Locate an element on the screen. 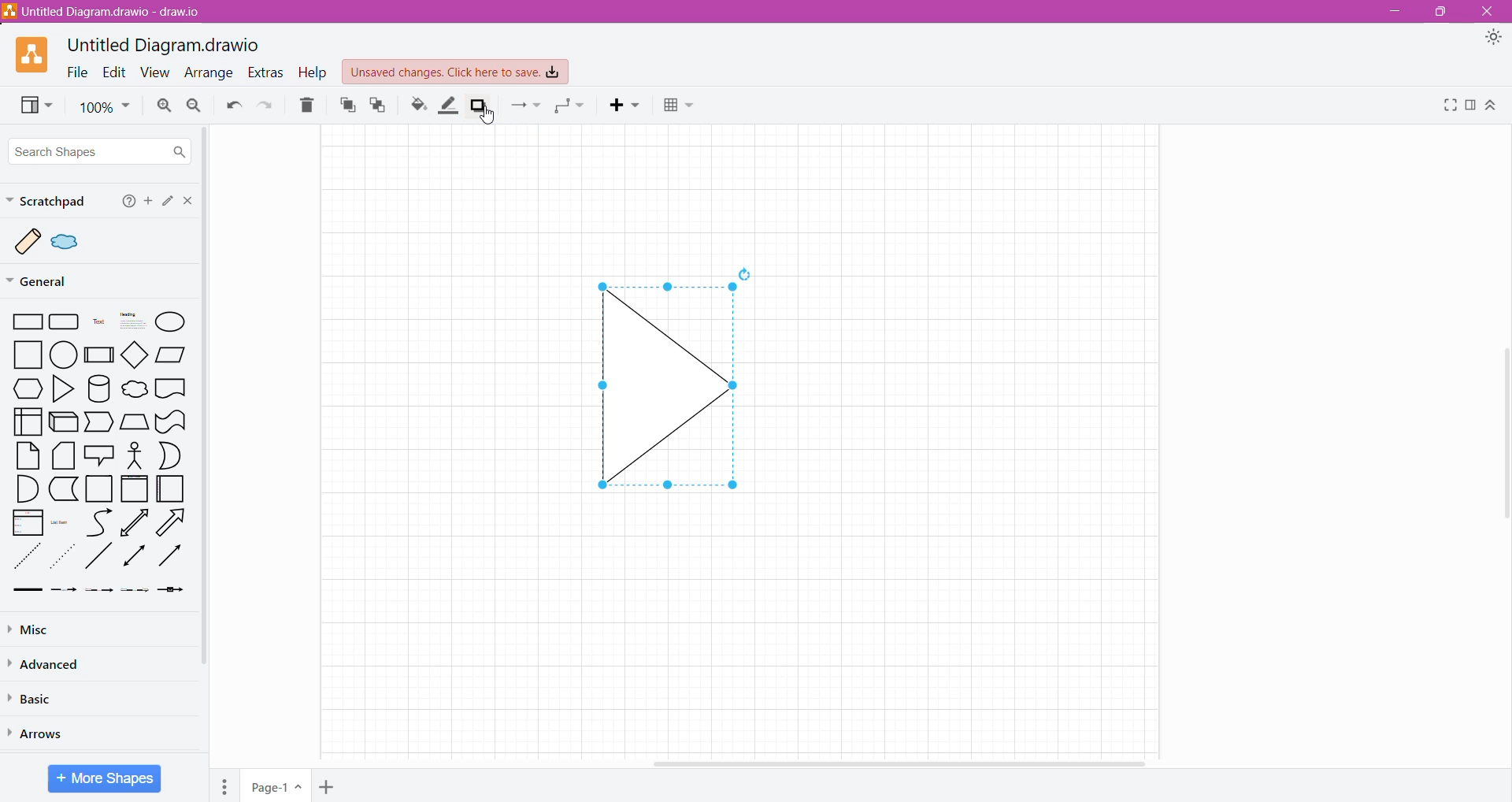  File is located at coordinates (77, 72).